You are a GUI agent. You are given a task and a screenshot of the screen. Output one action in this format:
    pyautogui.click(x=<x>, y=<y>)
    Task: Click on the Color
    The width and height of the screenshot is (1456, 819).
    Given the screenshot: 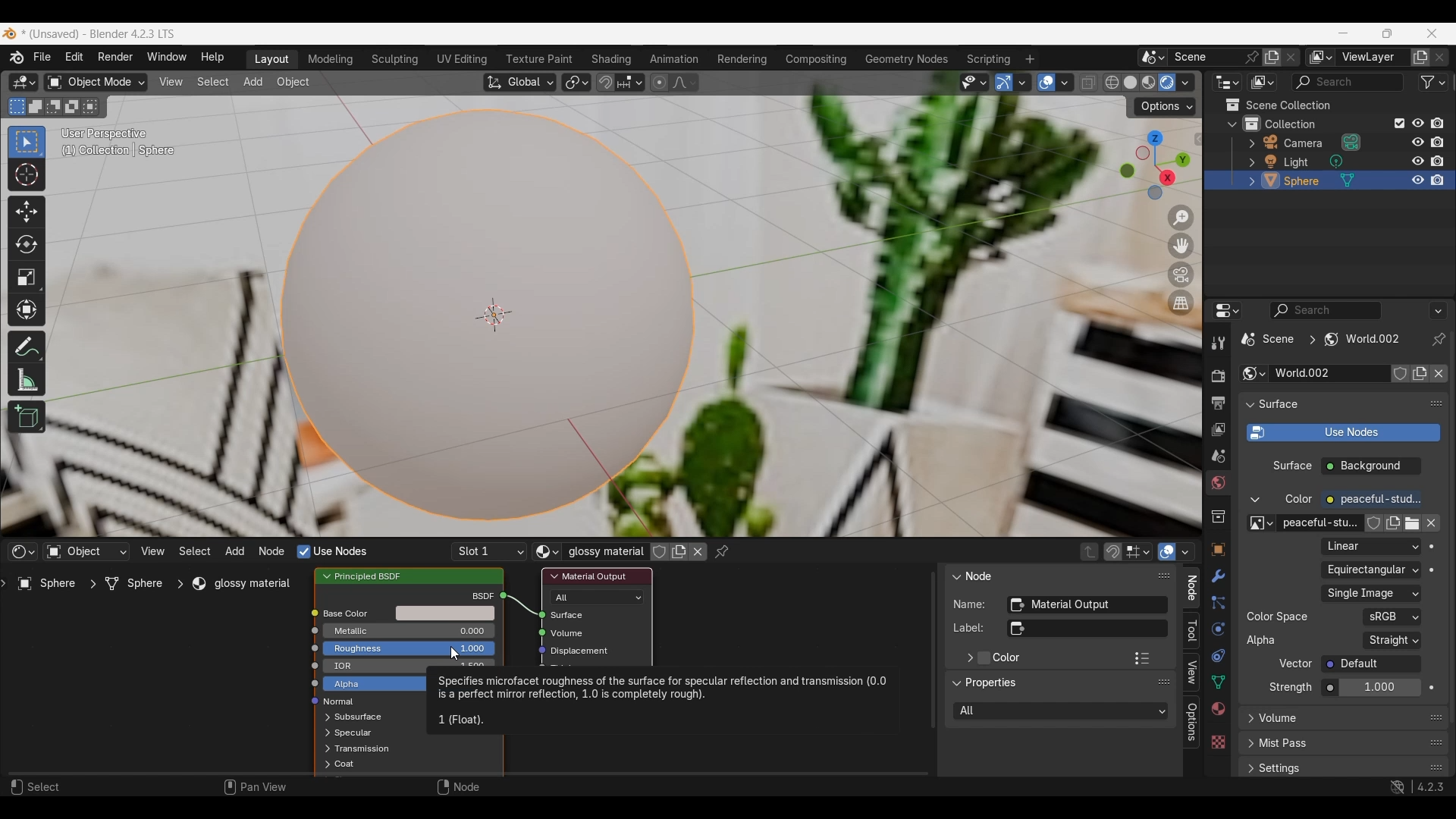 What is the action you would take?
    pyautogui.click(x=1007, y=658)
    